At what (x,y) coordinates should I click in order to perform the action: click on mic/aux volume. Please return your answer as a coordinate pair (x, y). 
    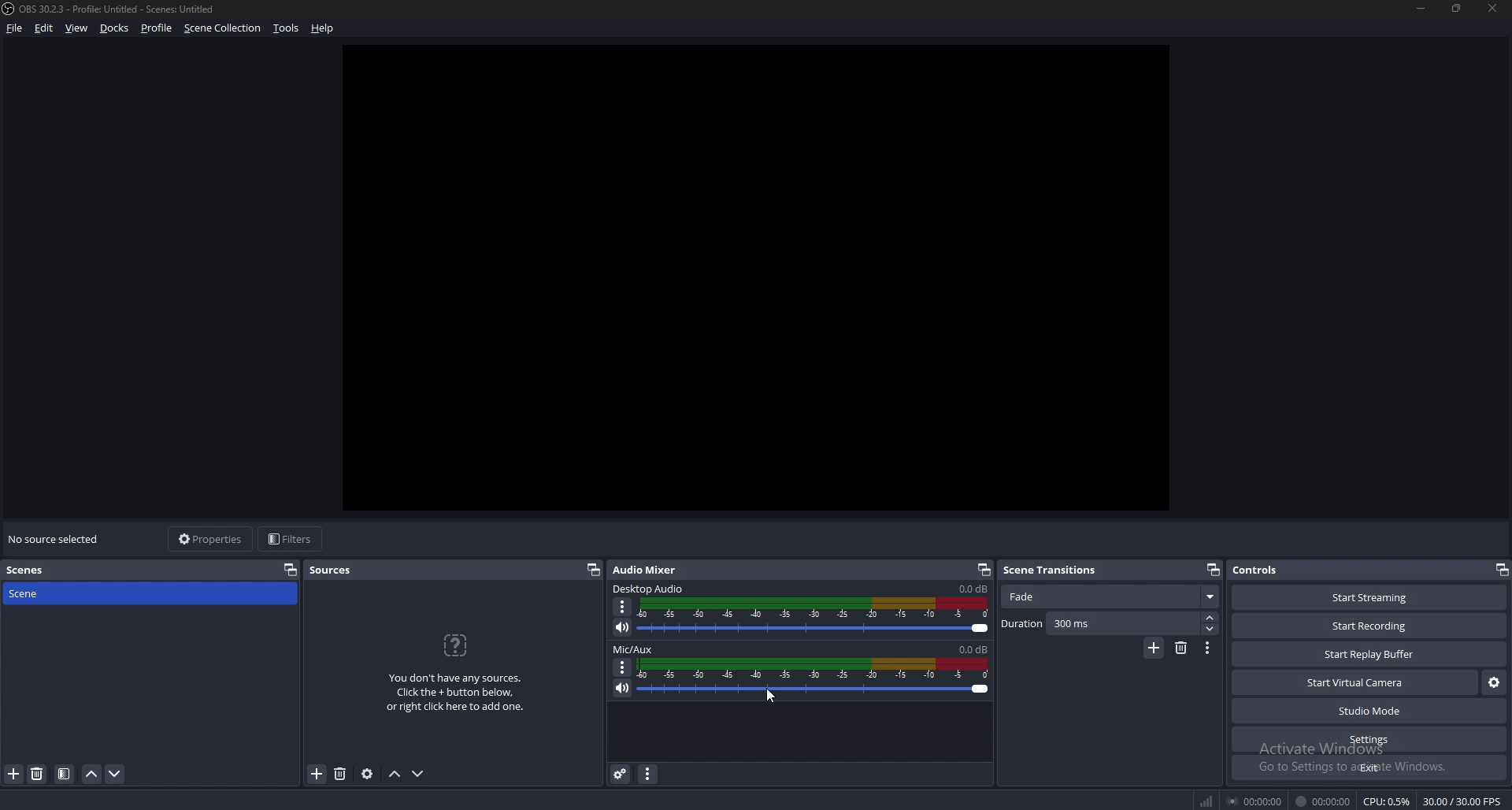
    Looking at the image, I should click on (972, 648).